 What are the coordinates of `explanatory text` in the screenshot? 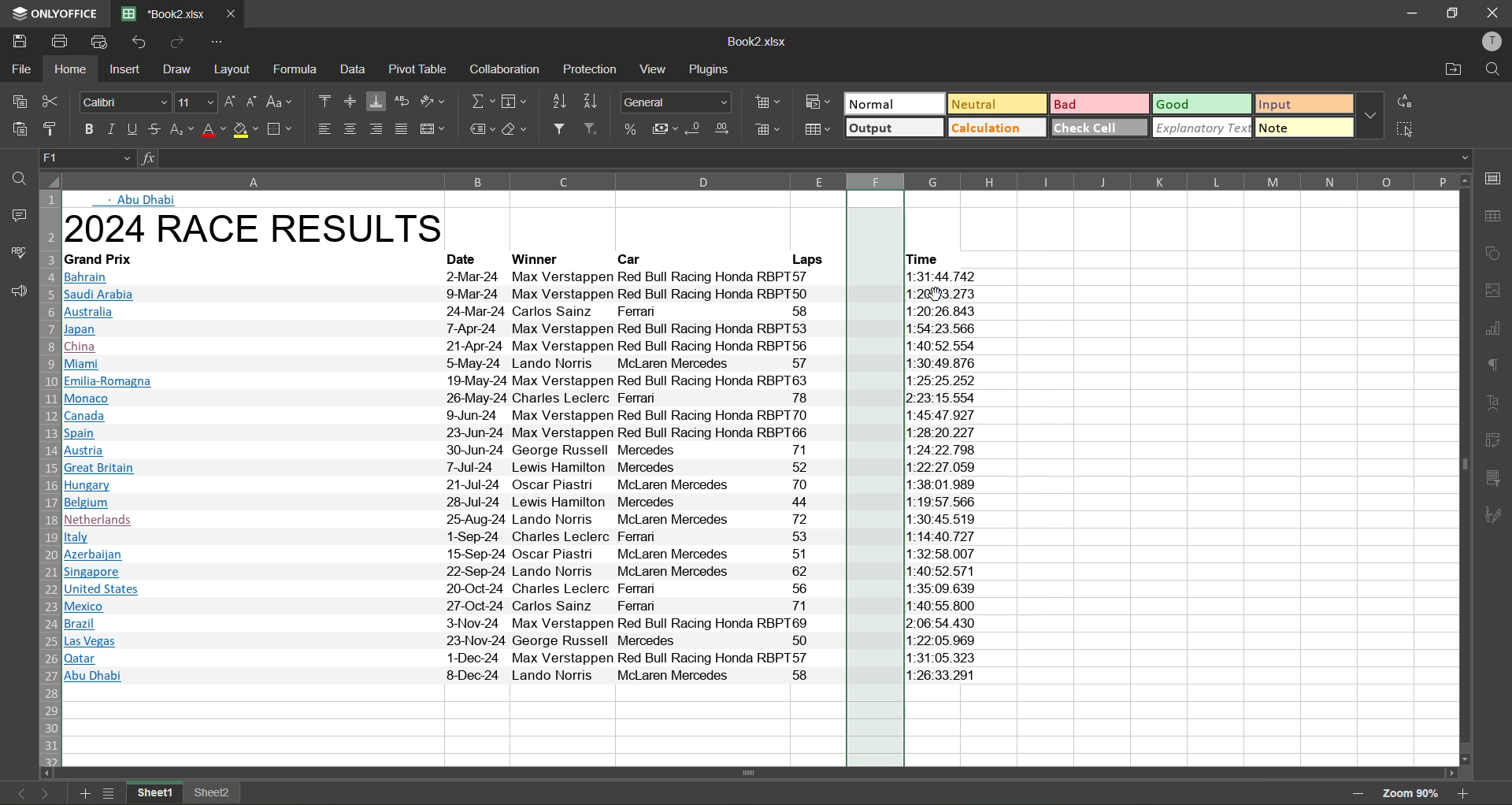 It's located at (1204, 128).